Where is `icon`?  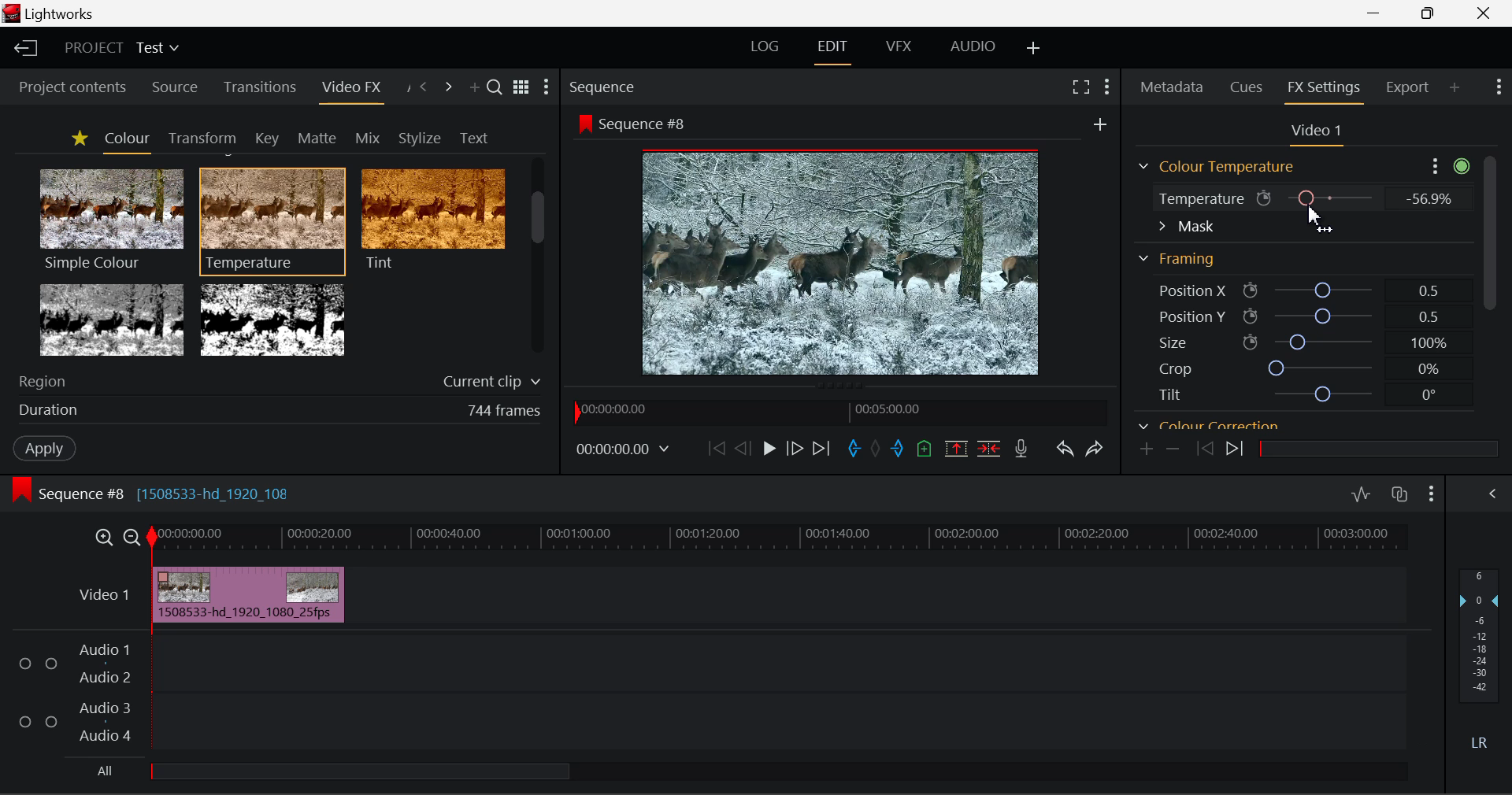 icon is located at coordinates (1250, 342).